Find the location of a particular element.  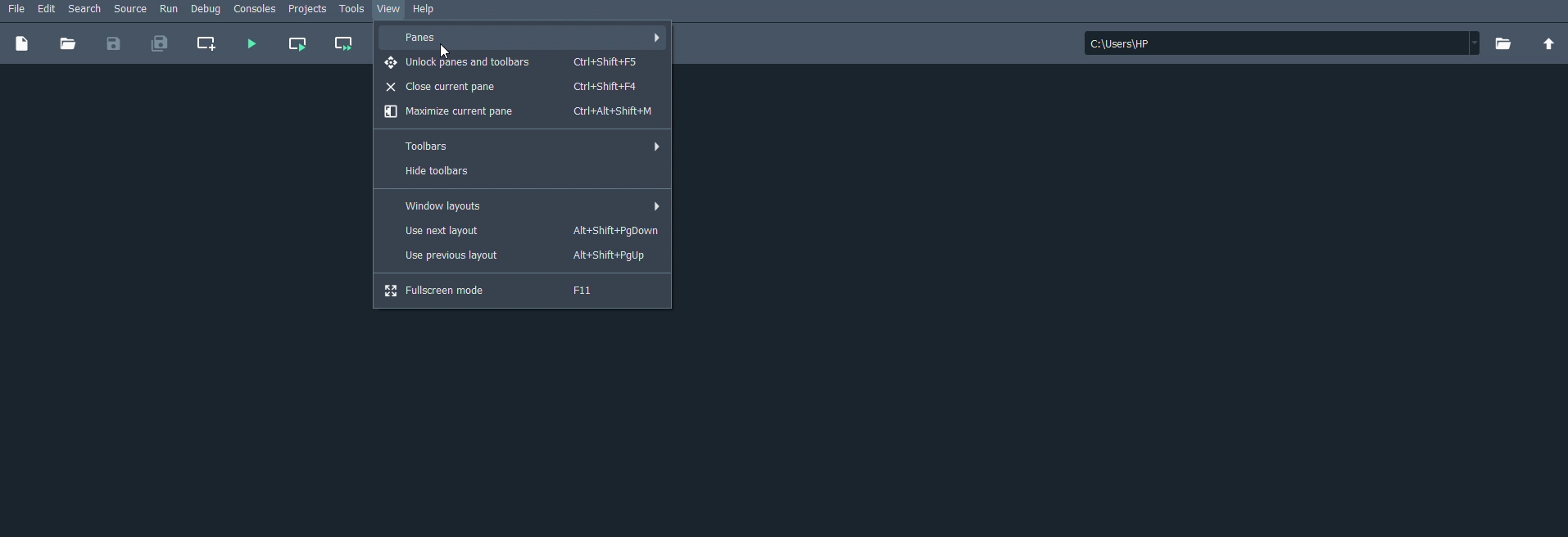

Change to parent directory is located at coordinates (1551, 43).